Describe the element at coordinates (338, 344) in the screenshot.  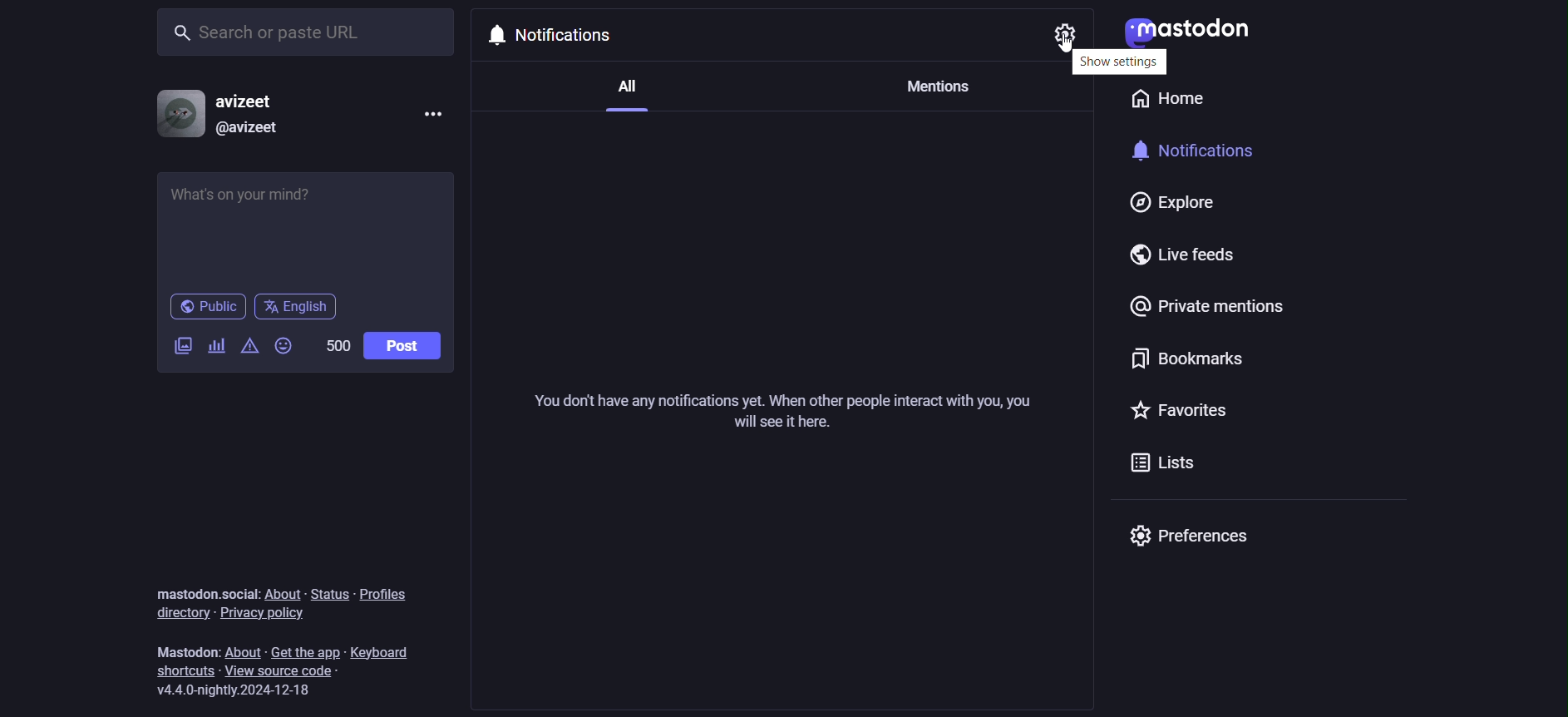
I see `word limit` at that location.